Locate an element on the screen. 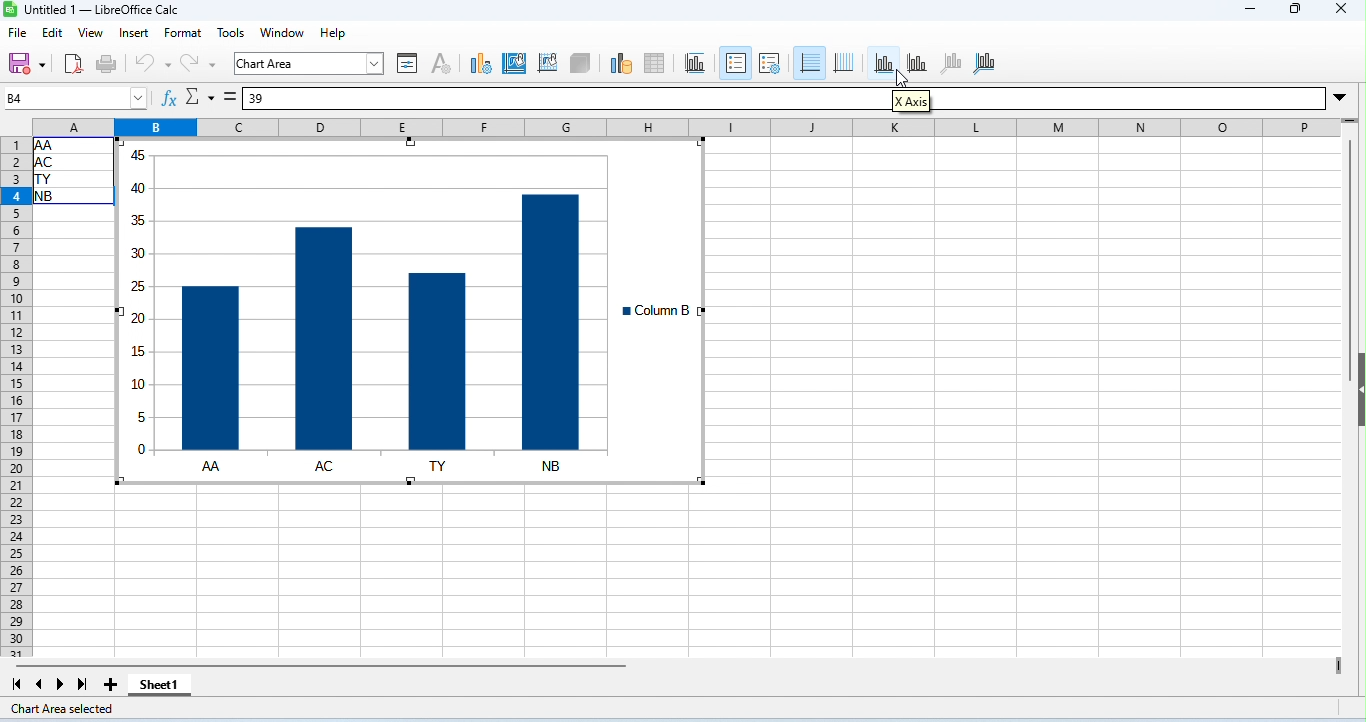 This screenshot has height=722, width=1366. chart area is located at coordinates (306, 62).